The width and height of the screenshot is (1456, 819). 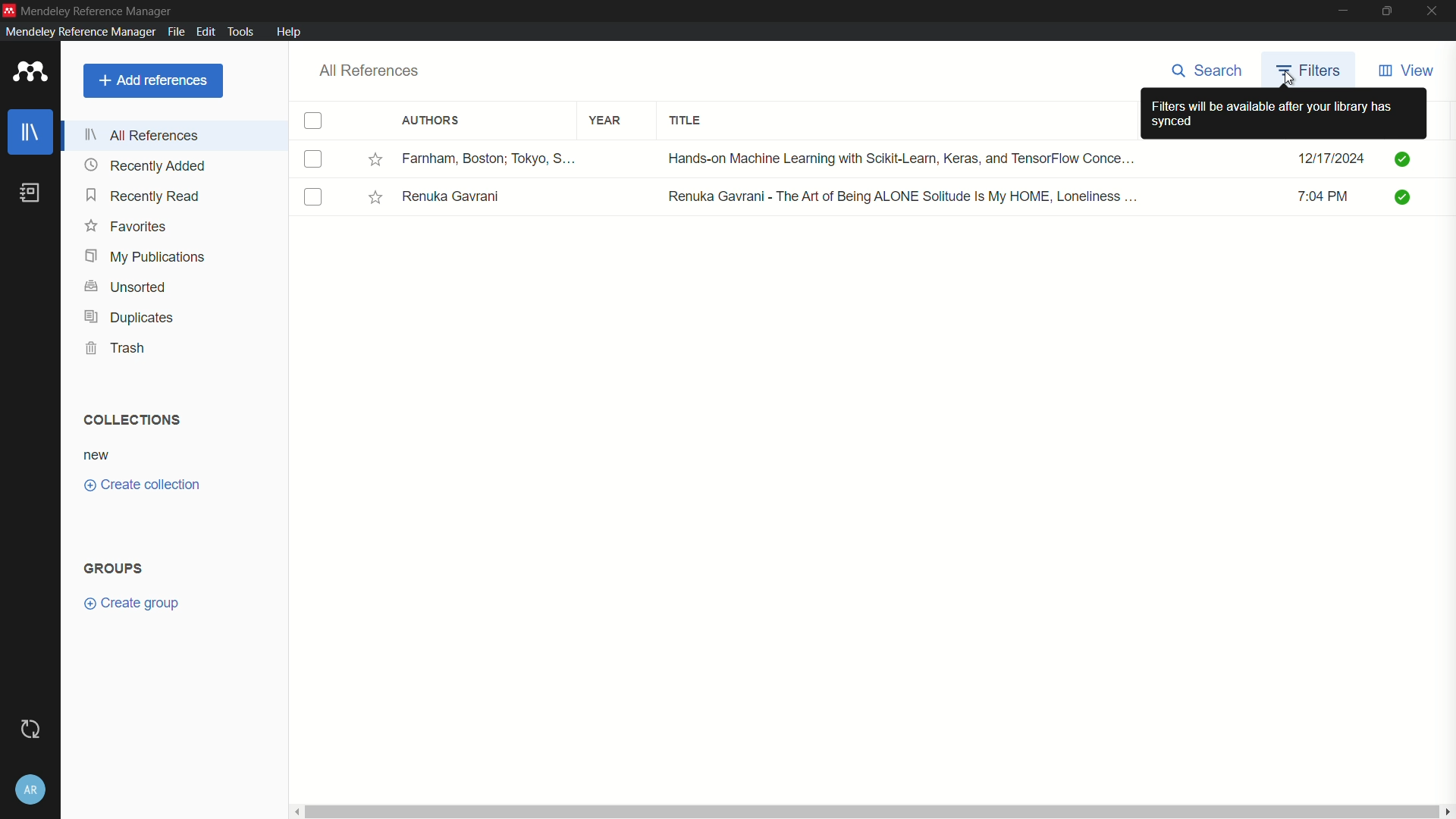 What do you see at coordinates (145, 196) in the screenshot?
I see `recently read` at bounding box center [145, 196].